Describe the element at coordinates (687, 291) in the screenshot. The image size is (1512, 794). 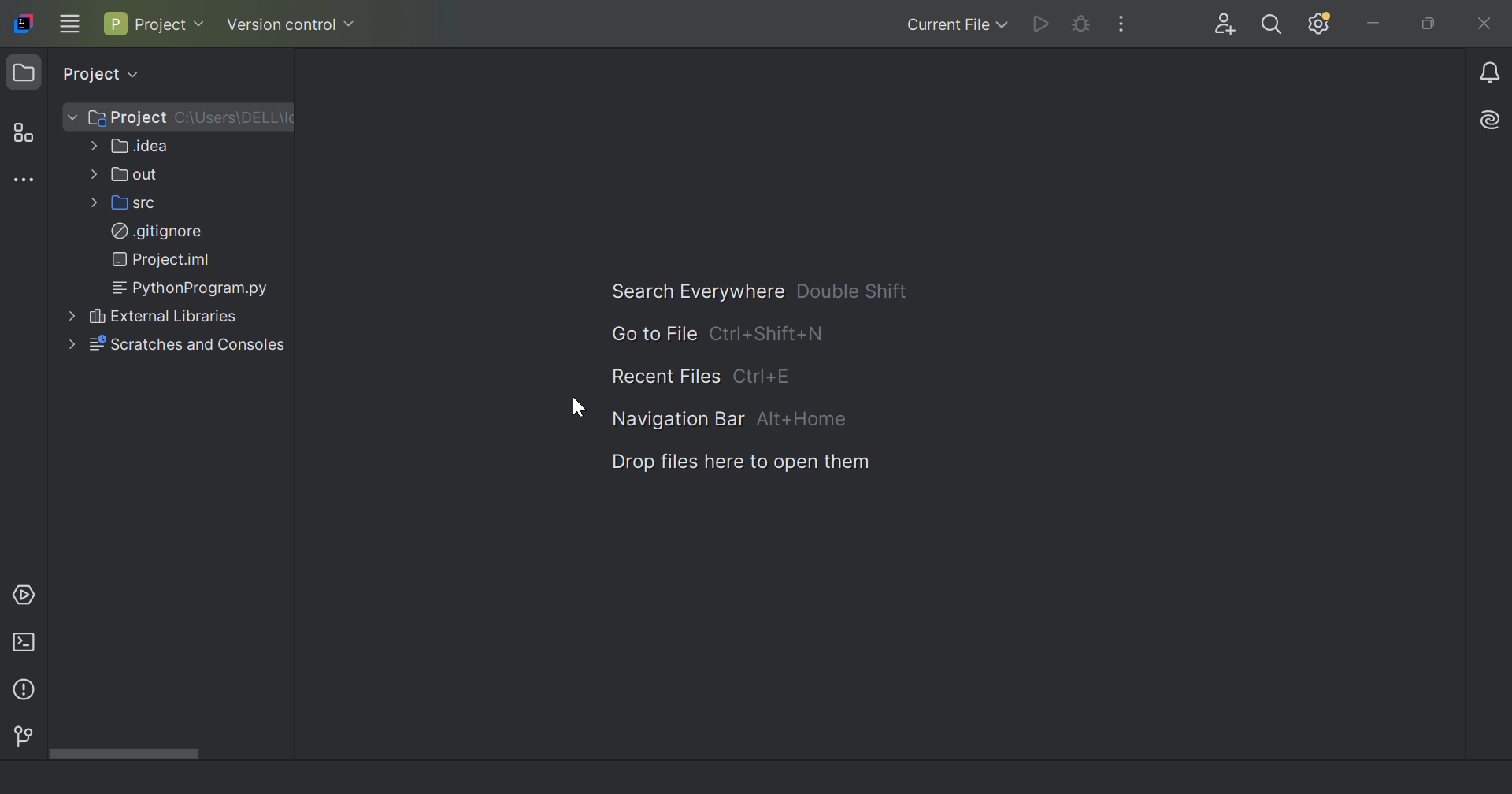
I see `Search everywhere` at that location.